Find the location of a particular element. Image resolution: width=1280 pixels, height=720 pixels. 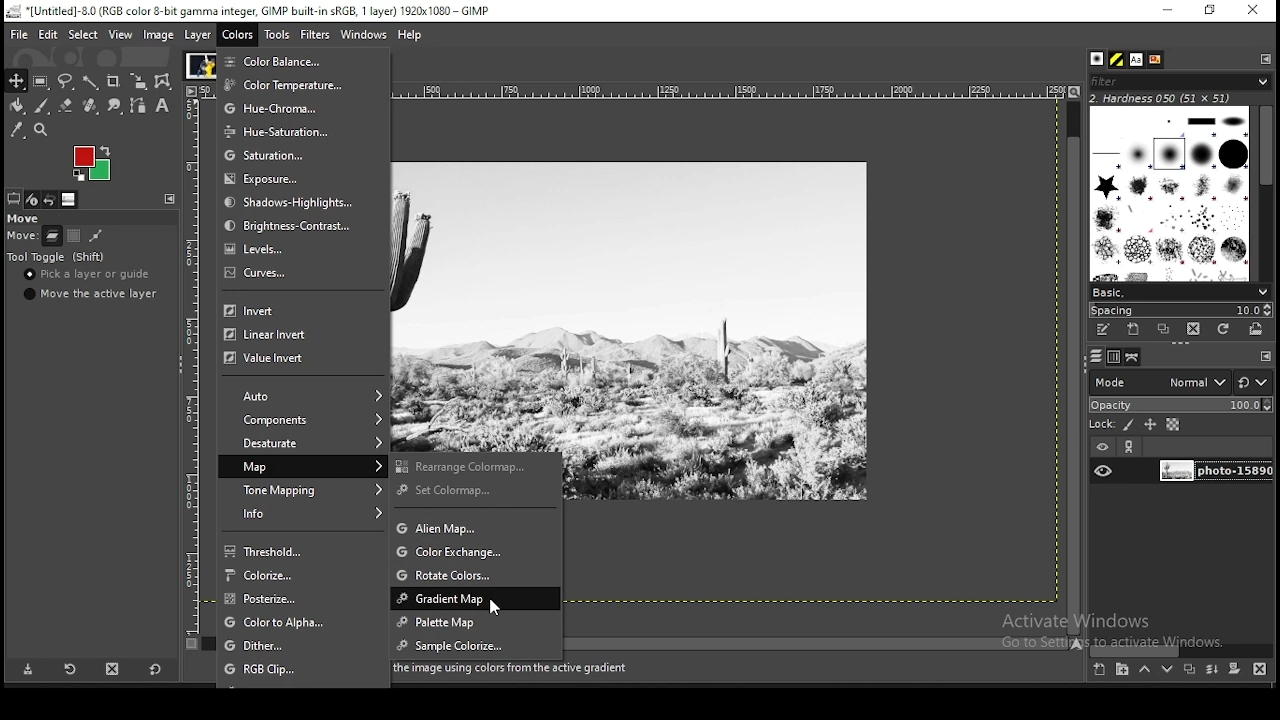

image is located at coordinates (159, 35).